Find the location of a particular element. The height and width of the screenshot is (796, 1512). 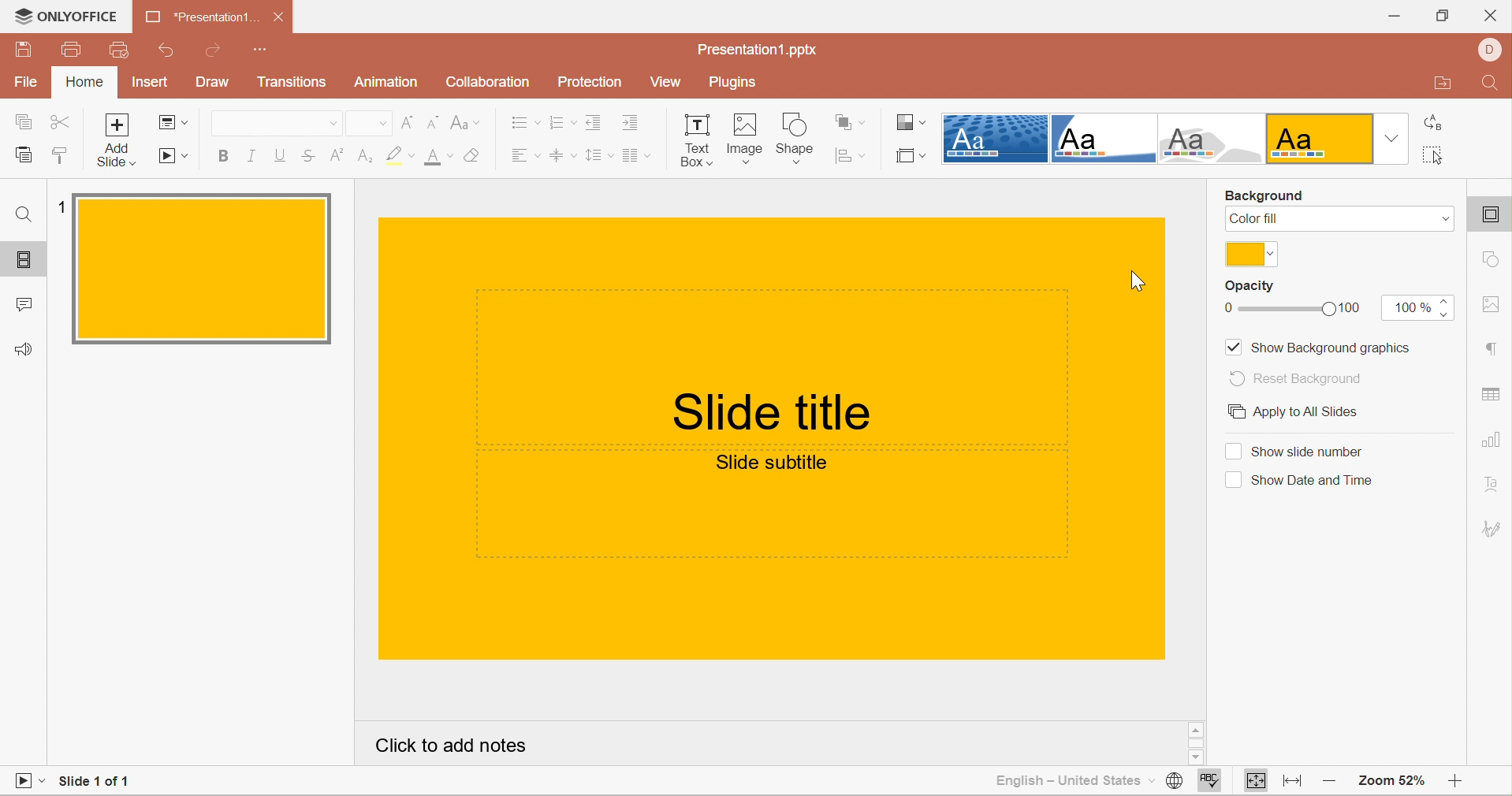

Text Art settings is located at coordinates (1495, 485).